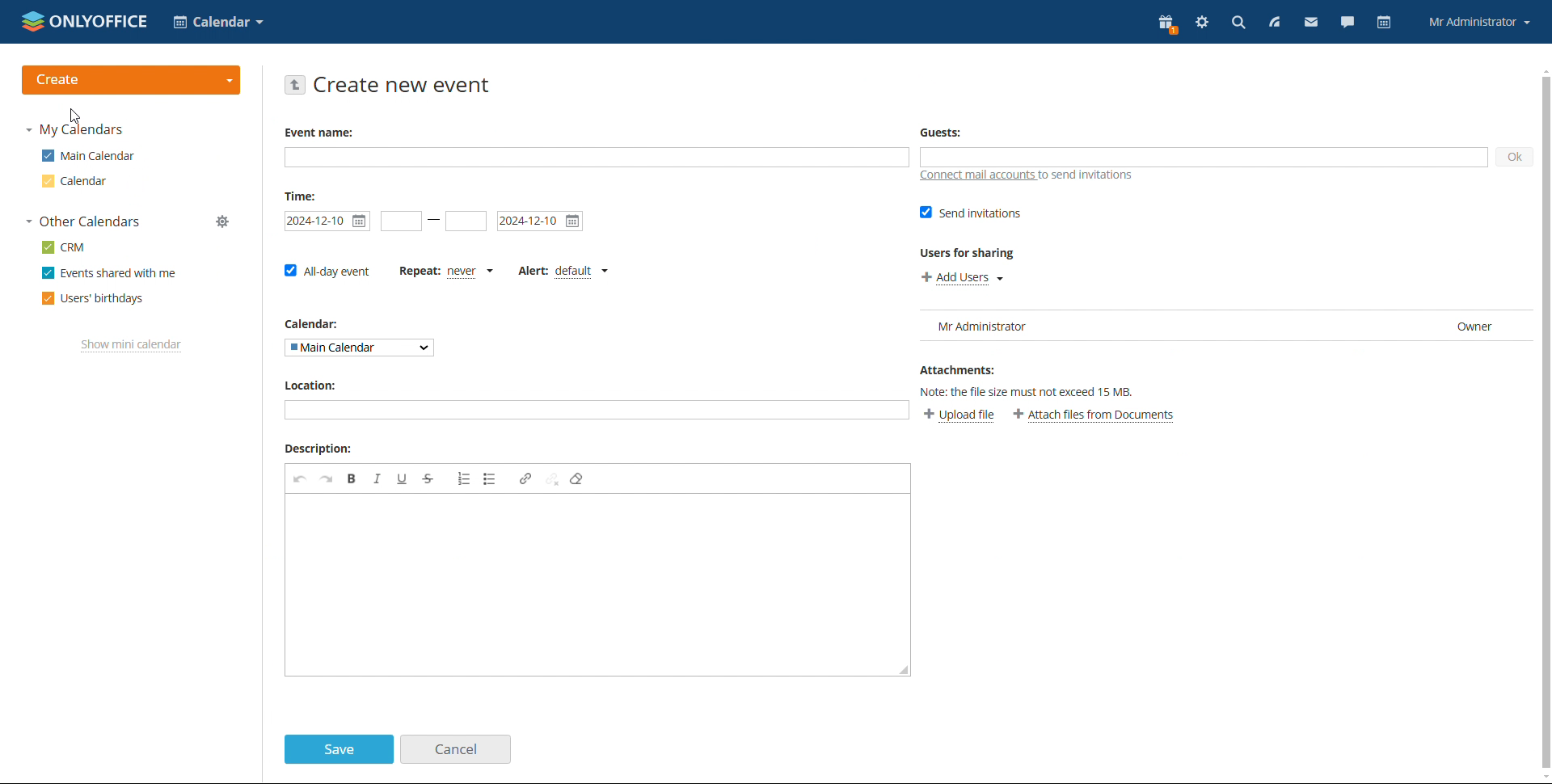 The height and width of the screenshot is (784, 1552). What do you see at coordinates (1346, 23) in the screenshot?
I see `talk` at bounding box center [1346, 23].